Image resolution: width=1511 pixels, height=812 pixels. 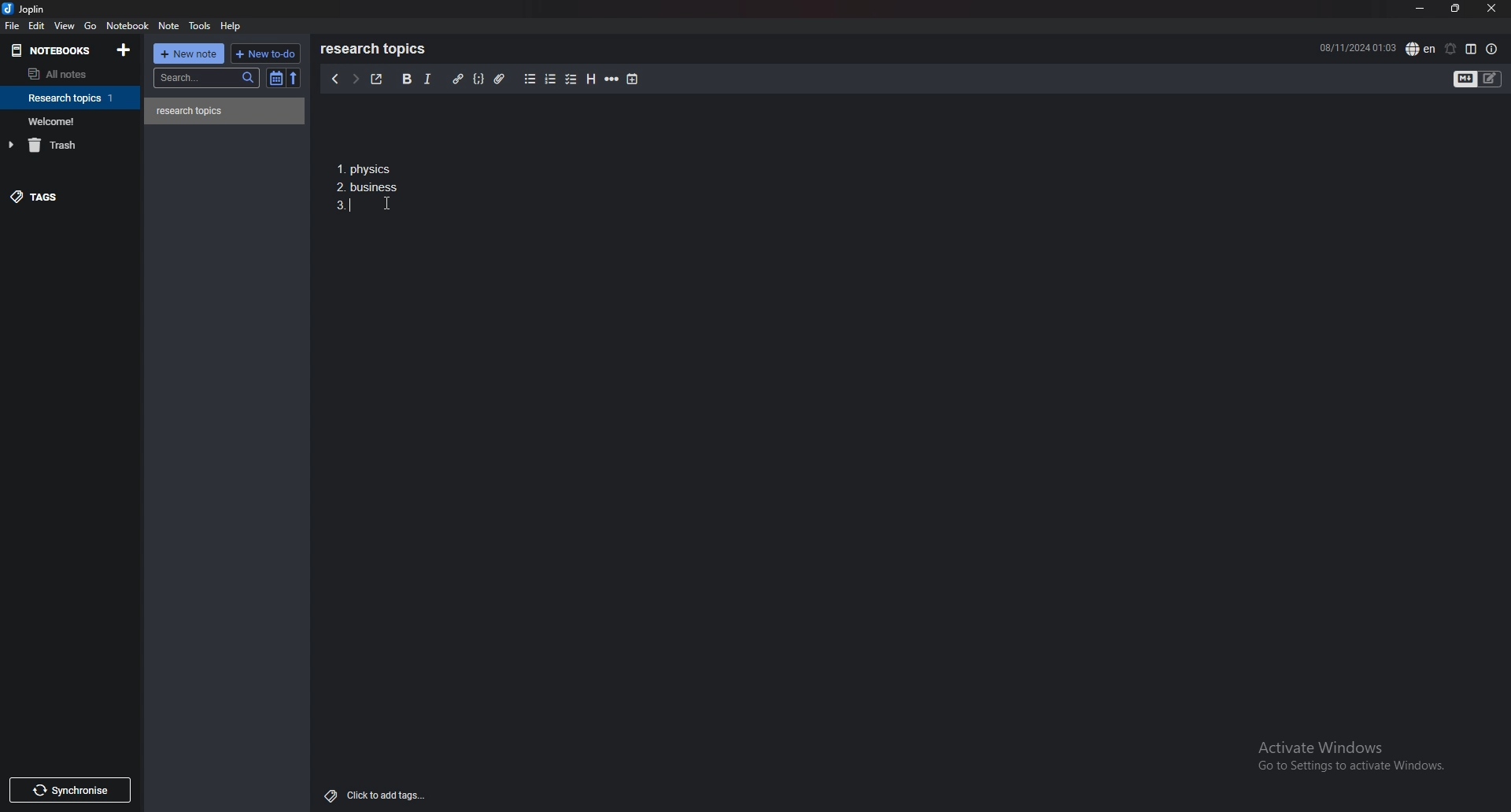 I want to click on joplin, so click(x=25, y=10).